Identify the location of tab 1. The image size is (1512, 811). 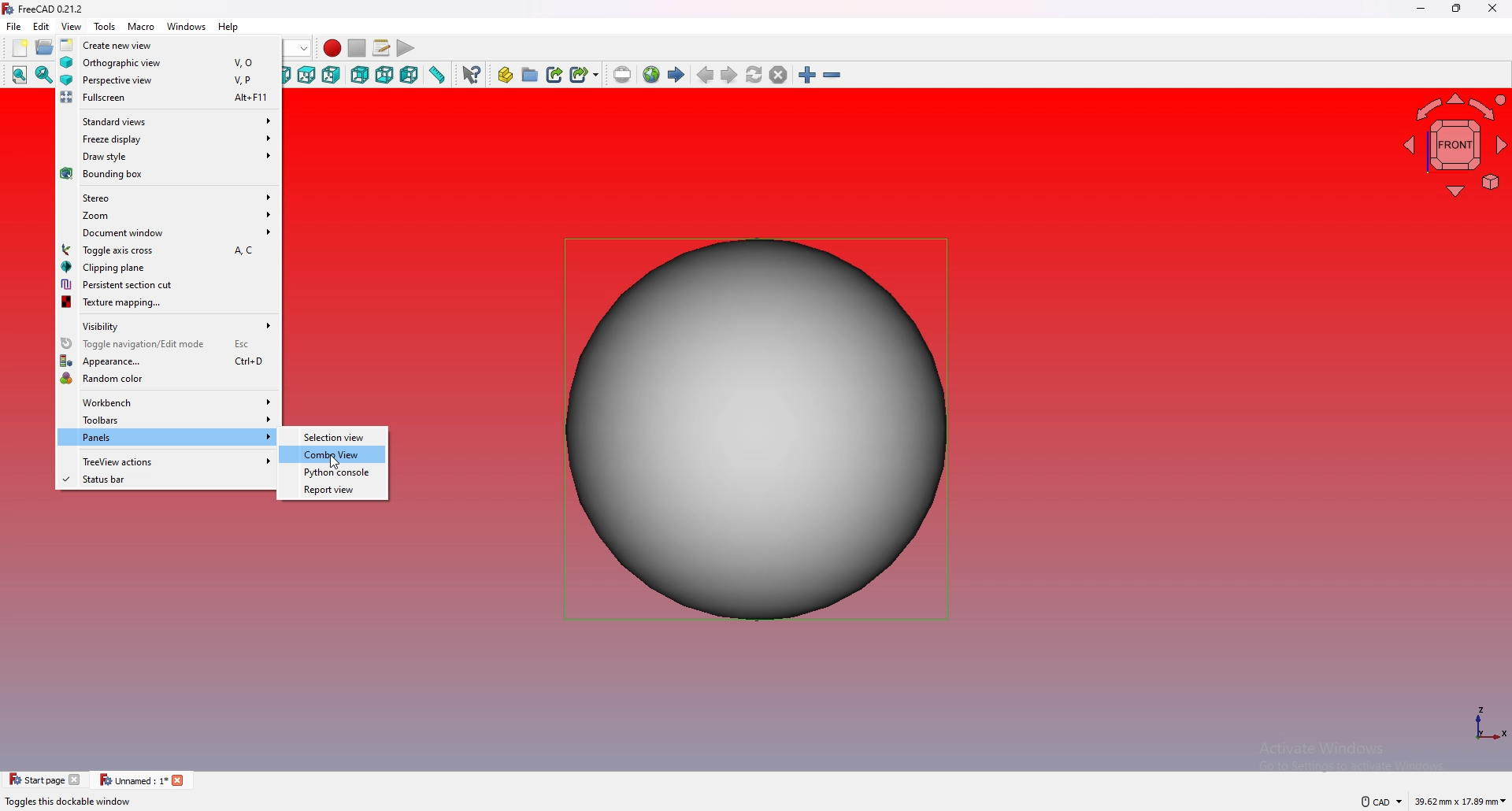
(45, 779).